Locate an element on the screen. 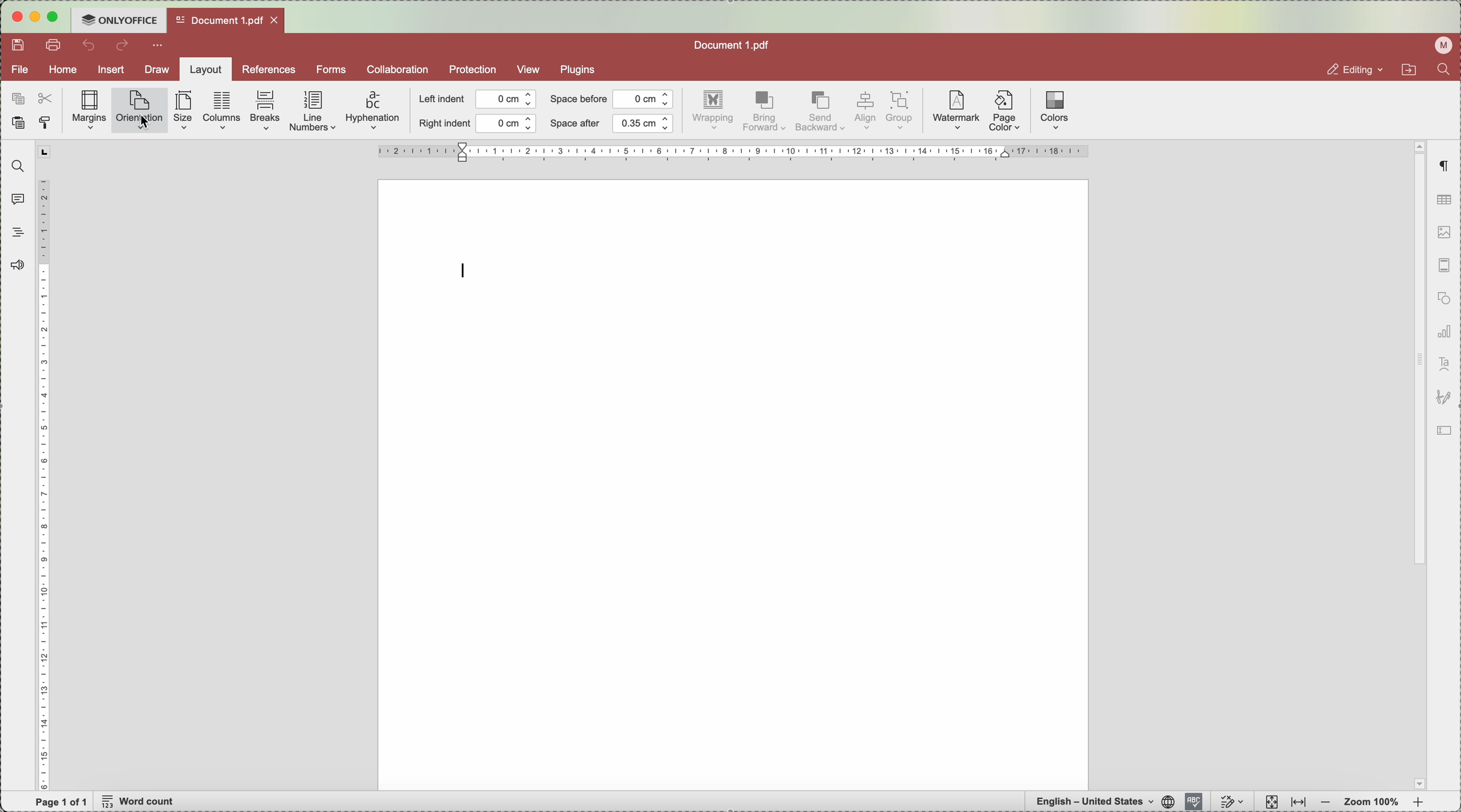 This screenshot has height=812, width=1461. maximize is located at coordinates (57, 16).